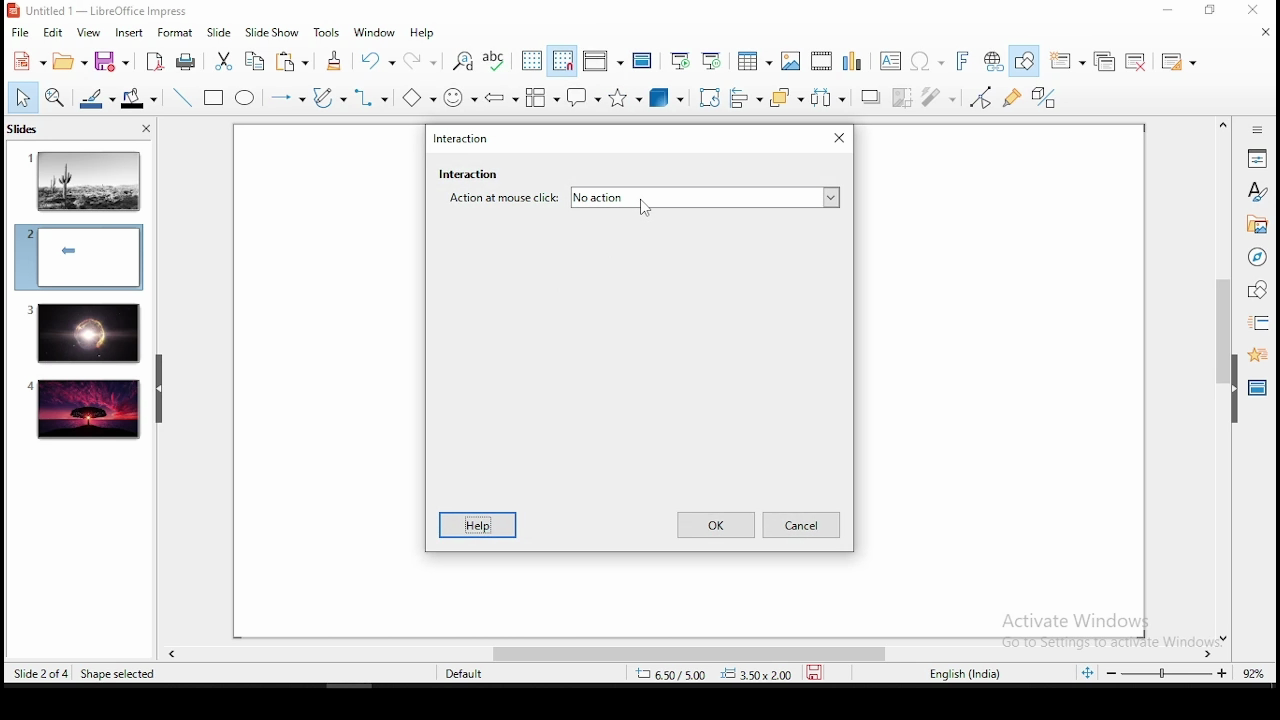 This screenshot has height=720, width=1280. Describe the element at coordinates (78, 257) in the screenshot. I see `slide 2` at that location.